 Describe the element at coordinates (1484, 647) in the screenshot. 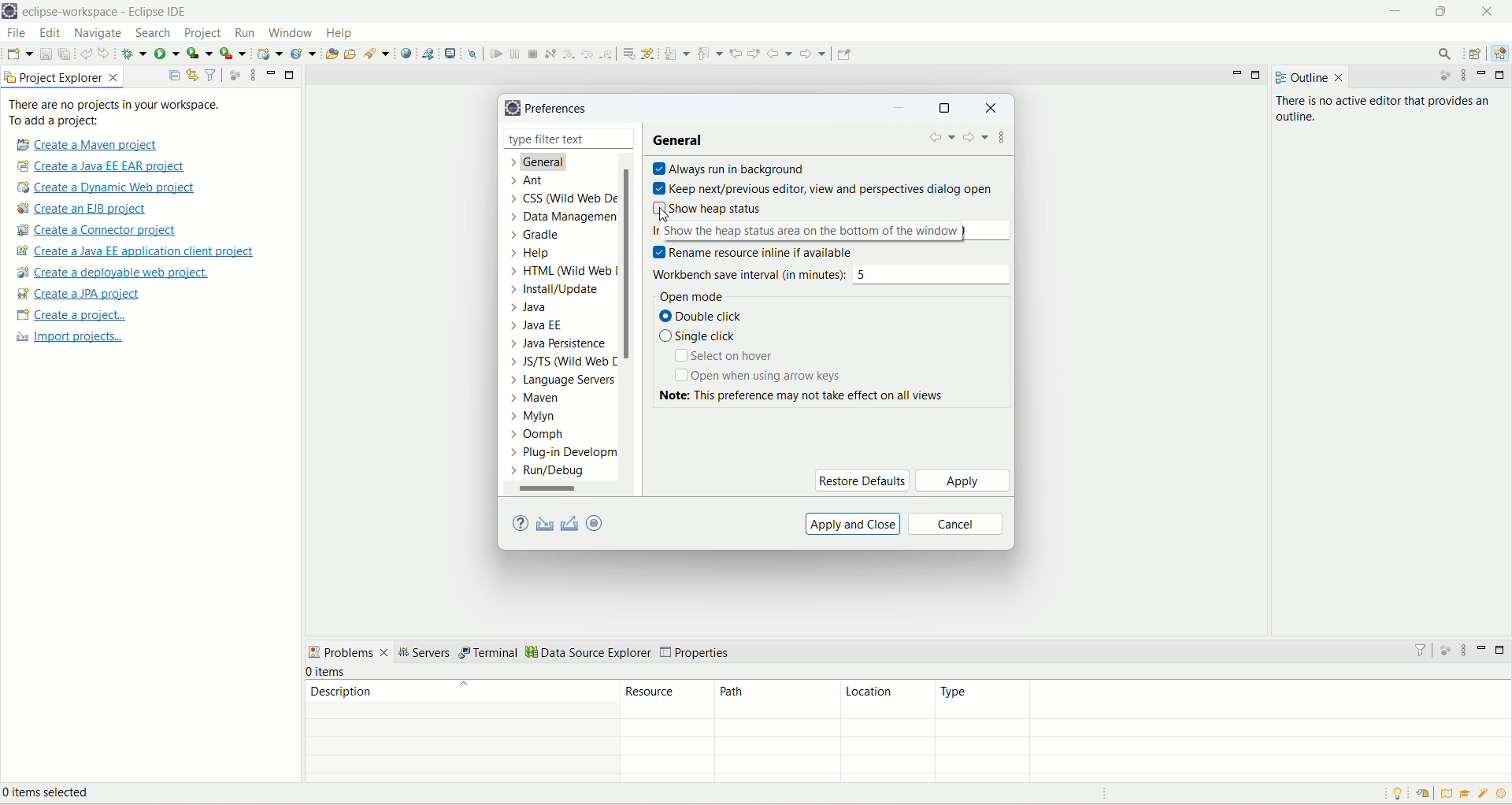

I see `minimize` at that location.